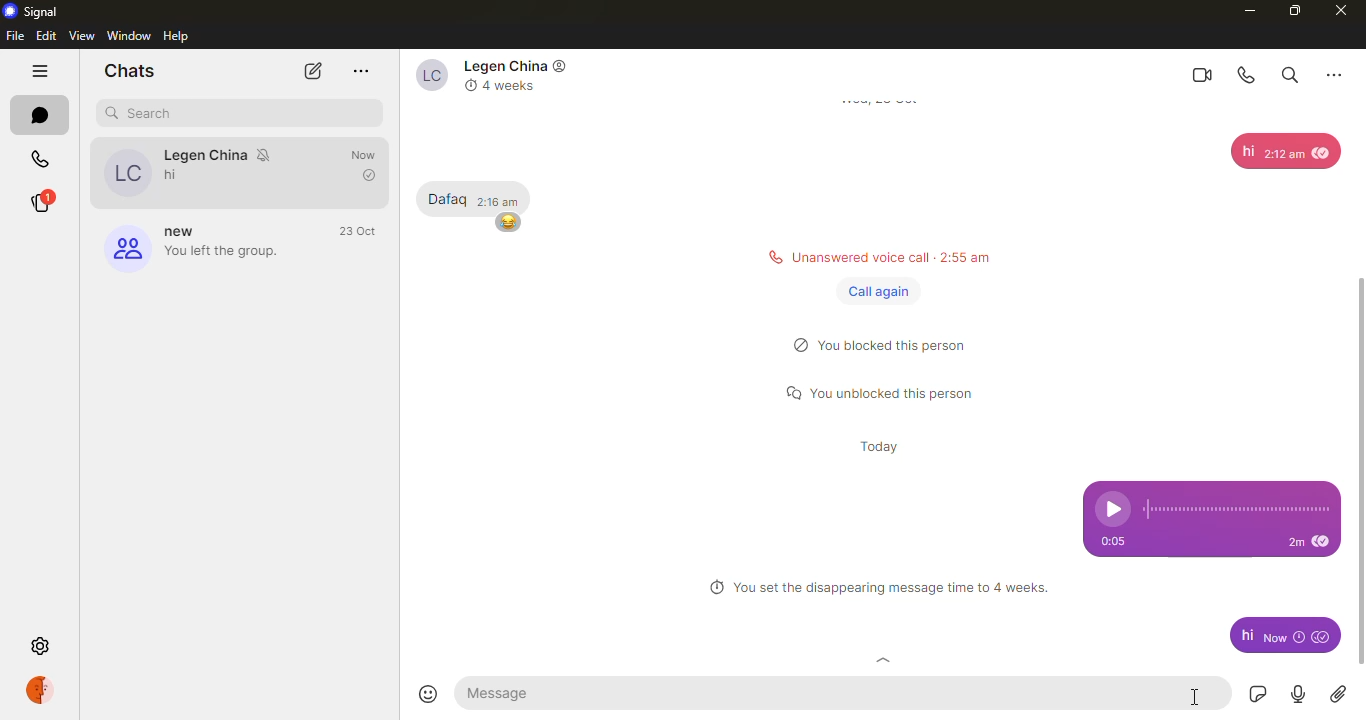  What do you see at coordinates (15, 36) in the screenshot?
I see `file` at bounding box center [15, 36].